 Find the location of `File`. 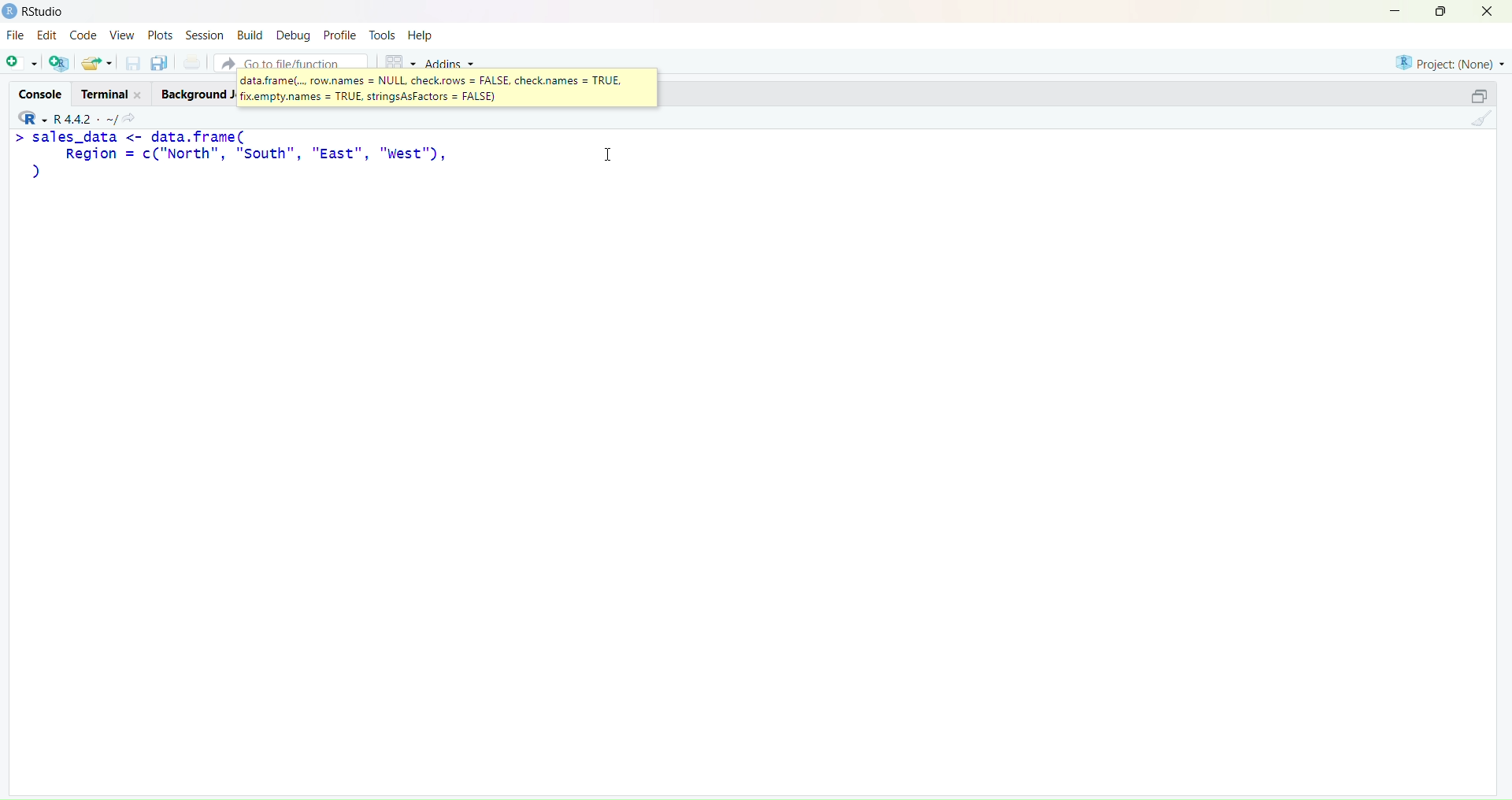

File is located at coordinates (16, 36).